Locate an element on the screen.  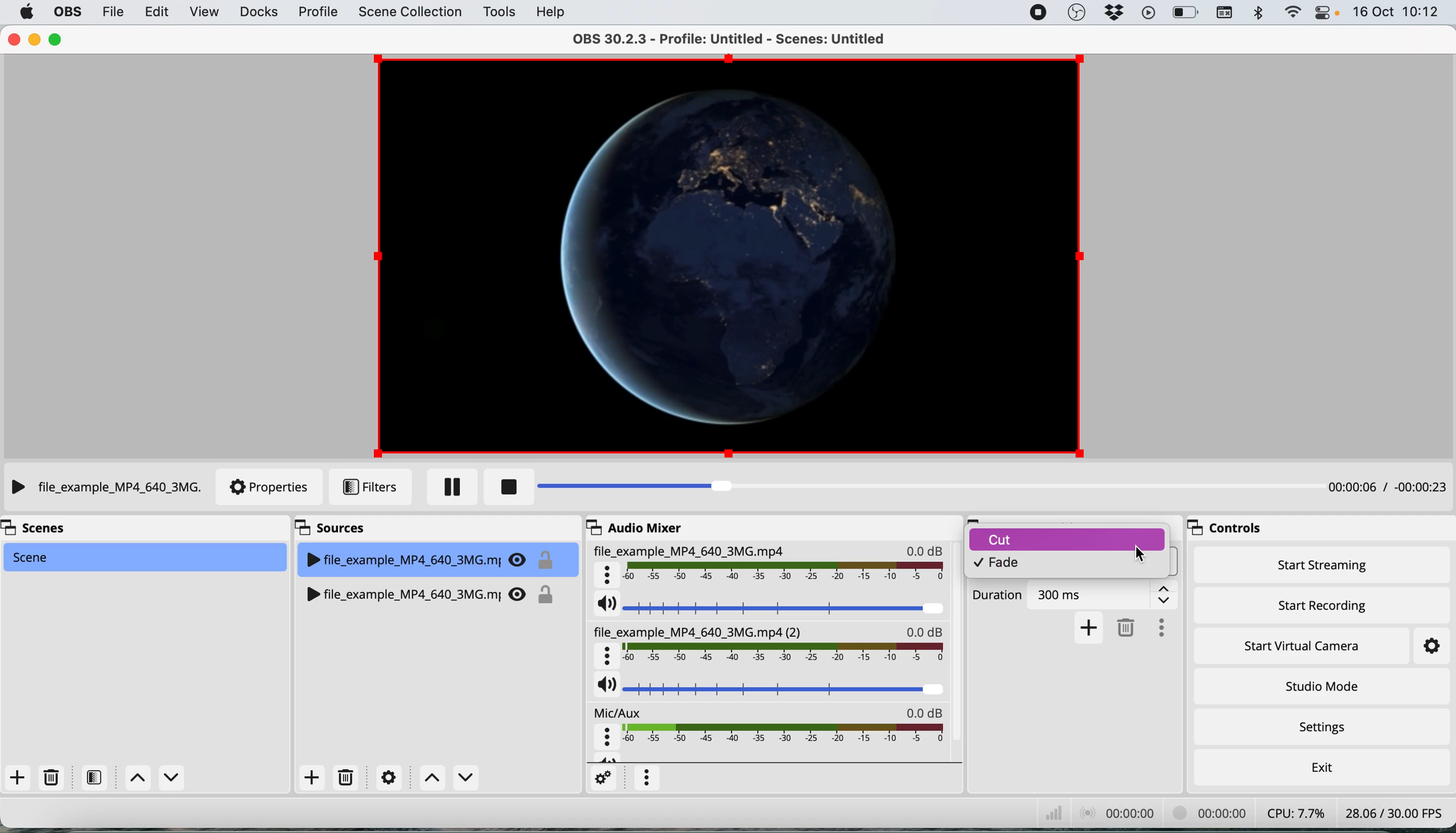
add scene is located at coordinates (15, 778).